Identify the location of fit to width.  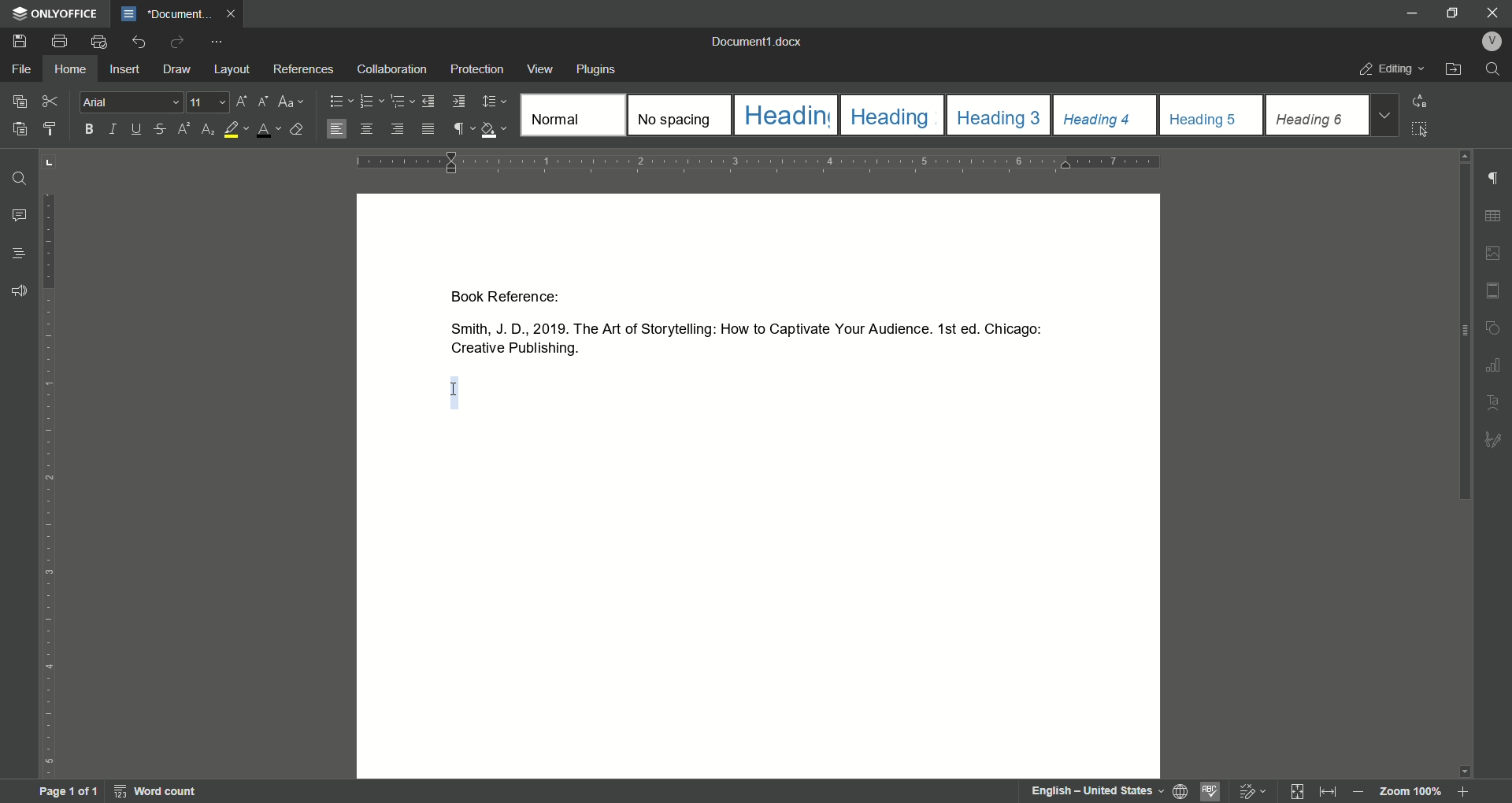
(1326, 792).